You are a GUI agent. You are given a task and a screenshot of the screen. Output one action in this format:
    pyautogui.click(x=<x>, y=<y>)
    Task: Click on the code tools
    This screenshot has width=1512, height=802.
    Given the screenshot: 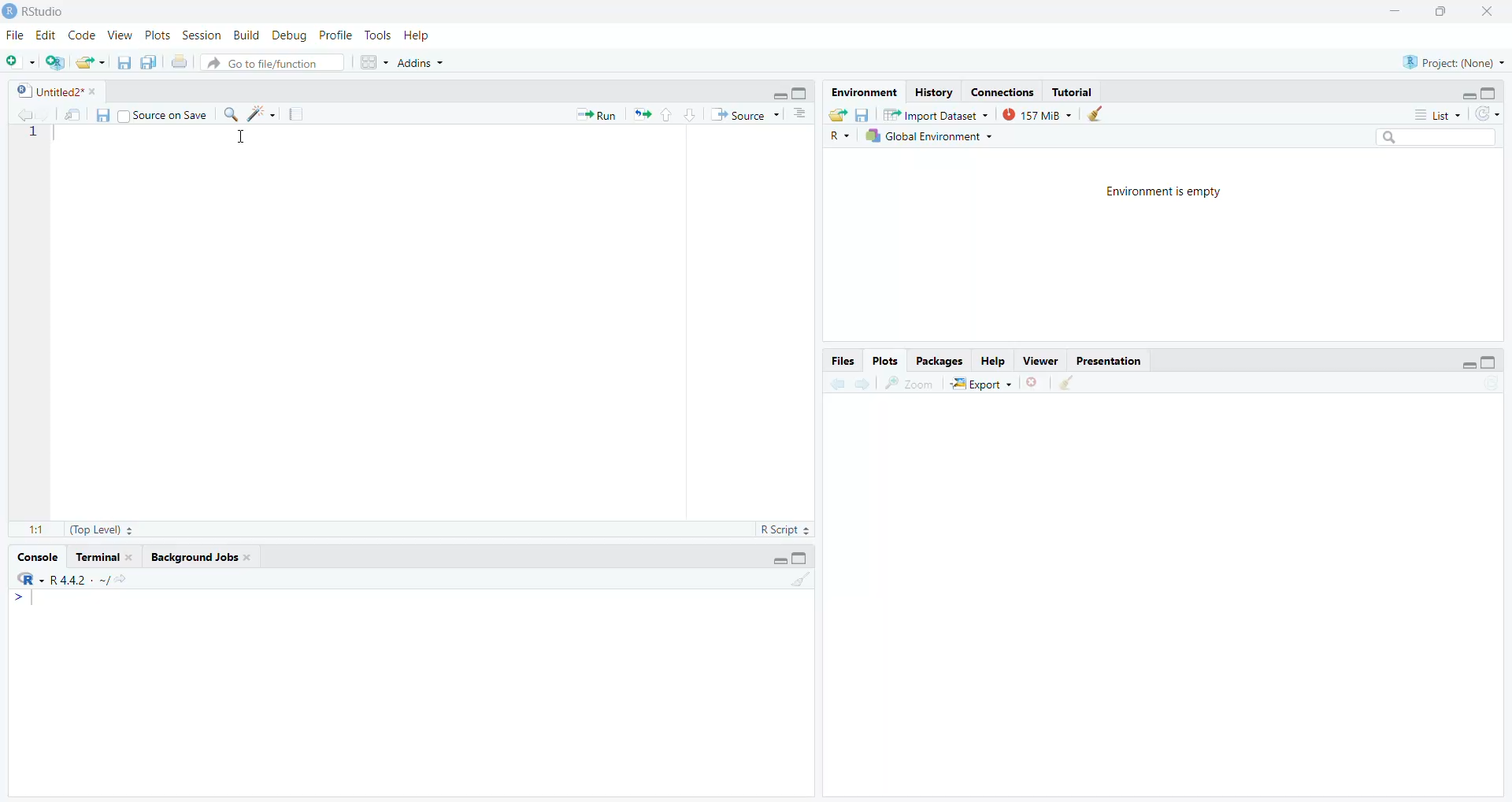 What is the action you would take?
    pyautogui.click(x=261, y=113)
    